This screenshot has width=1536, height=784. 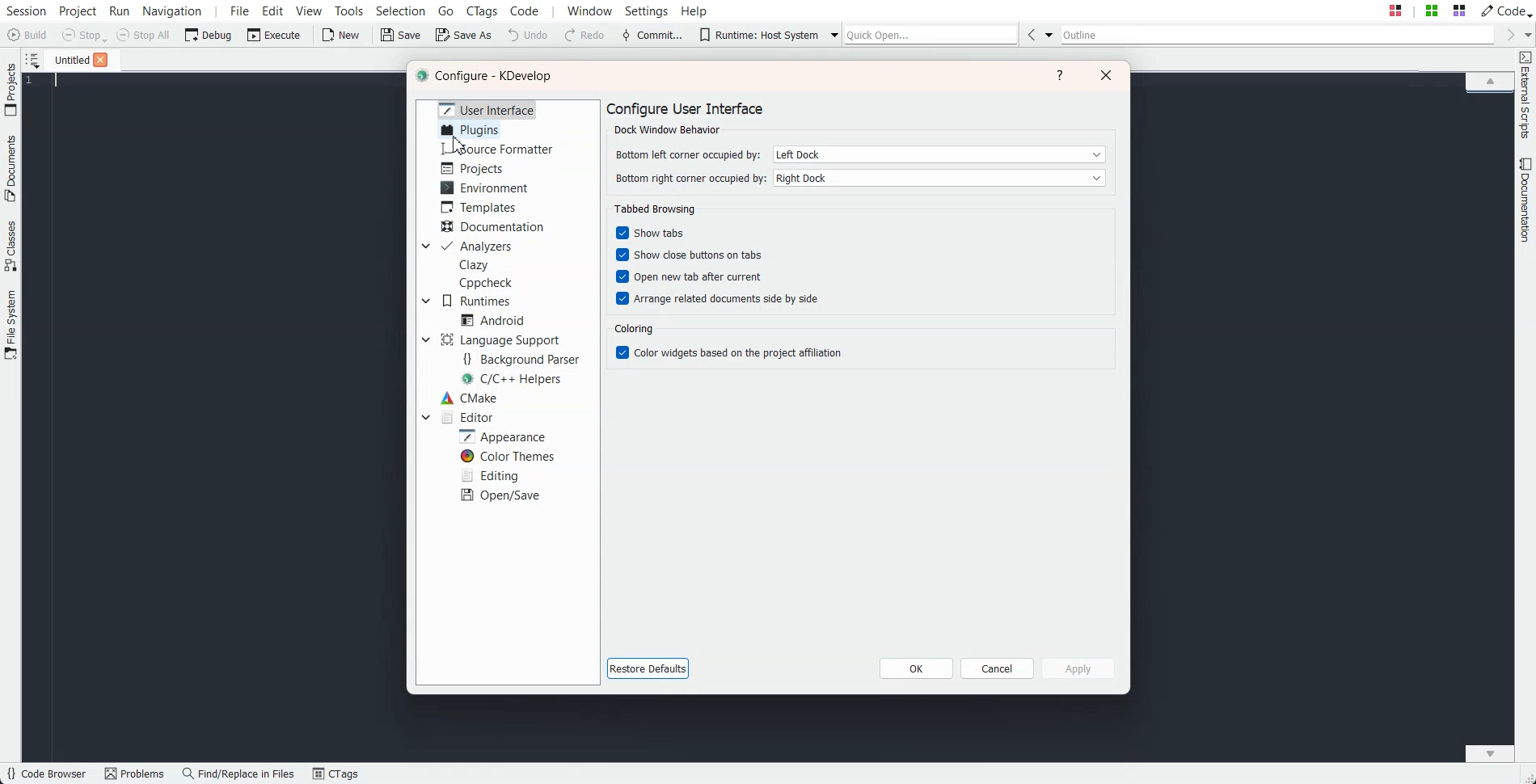 What do you see at coordinates (489, 474) in the screenshot?
I see `Editing` at bounding box center [489, 474].